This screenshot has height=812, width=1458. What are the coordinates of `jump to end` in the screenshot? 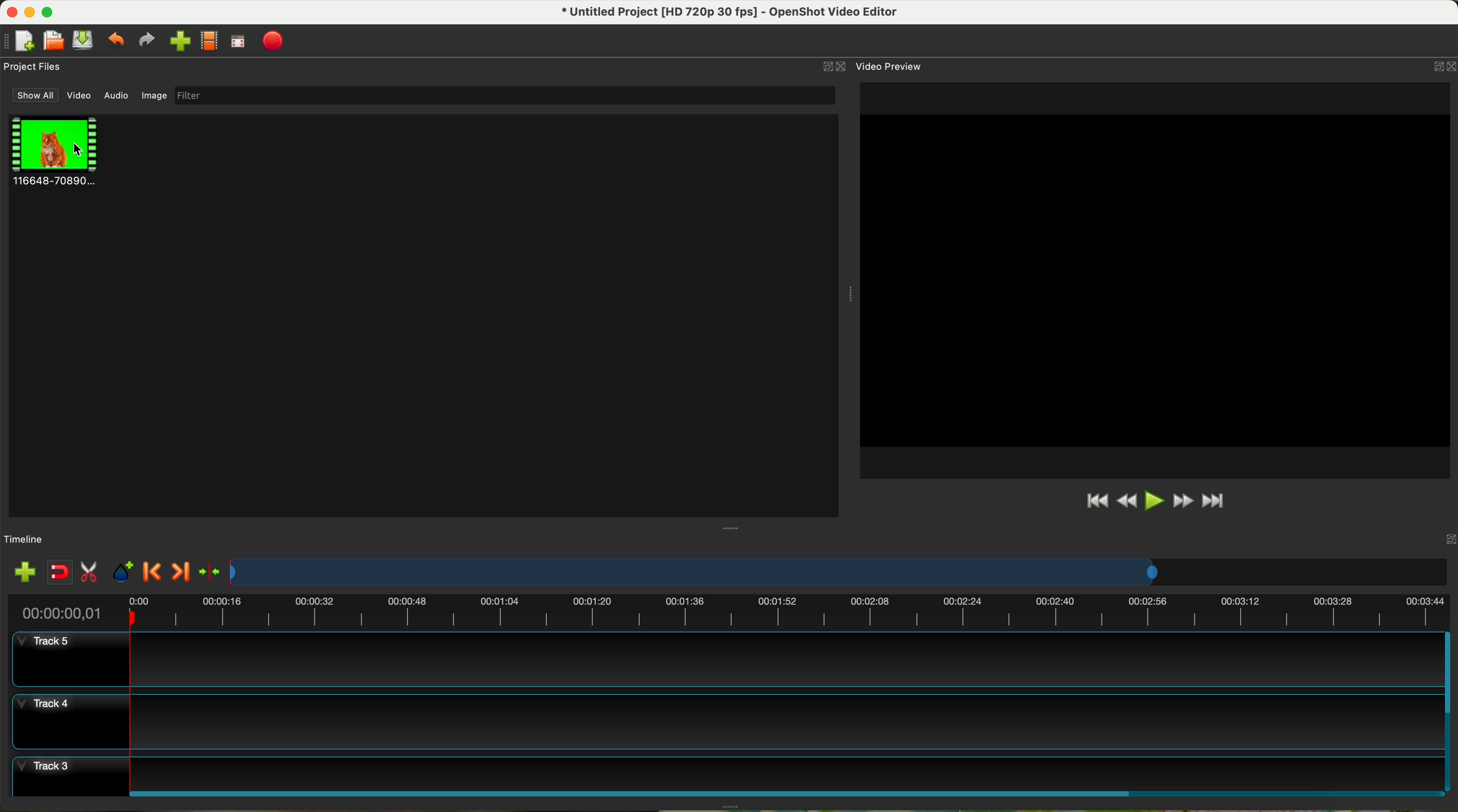 It's located at (1215, 502).